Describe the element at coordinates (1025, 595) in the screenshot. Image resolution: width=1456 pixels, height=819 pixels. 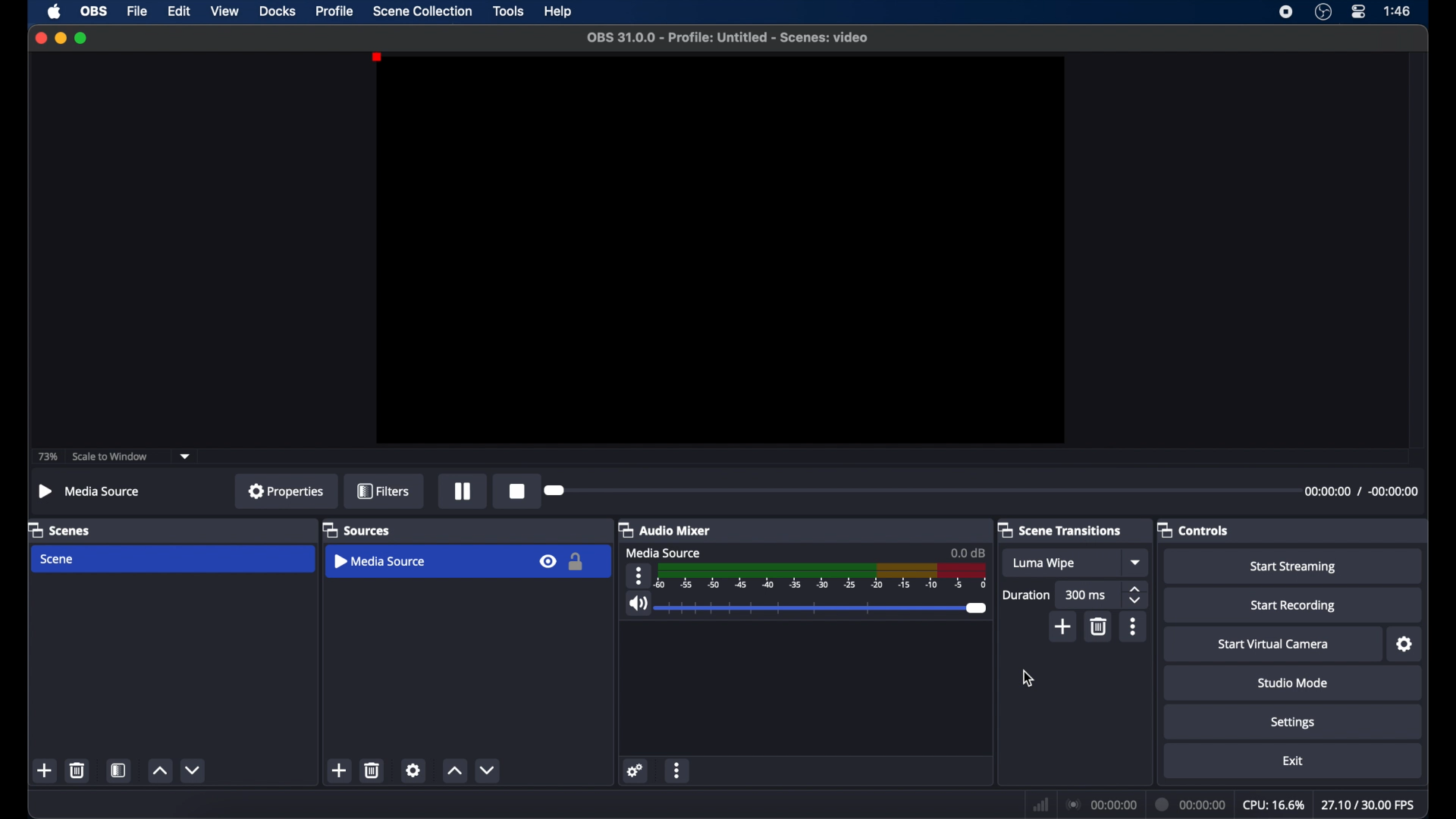
I see `duration` at that location.